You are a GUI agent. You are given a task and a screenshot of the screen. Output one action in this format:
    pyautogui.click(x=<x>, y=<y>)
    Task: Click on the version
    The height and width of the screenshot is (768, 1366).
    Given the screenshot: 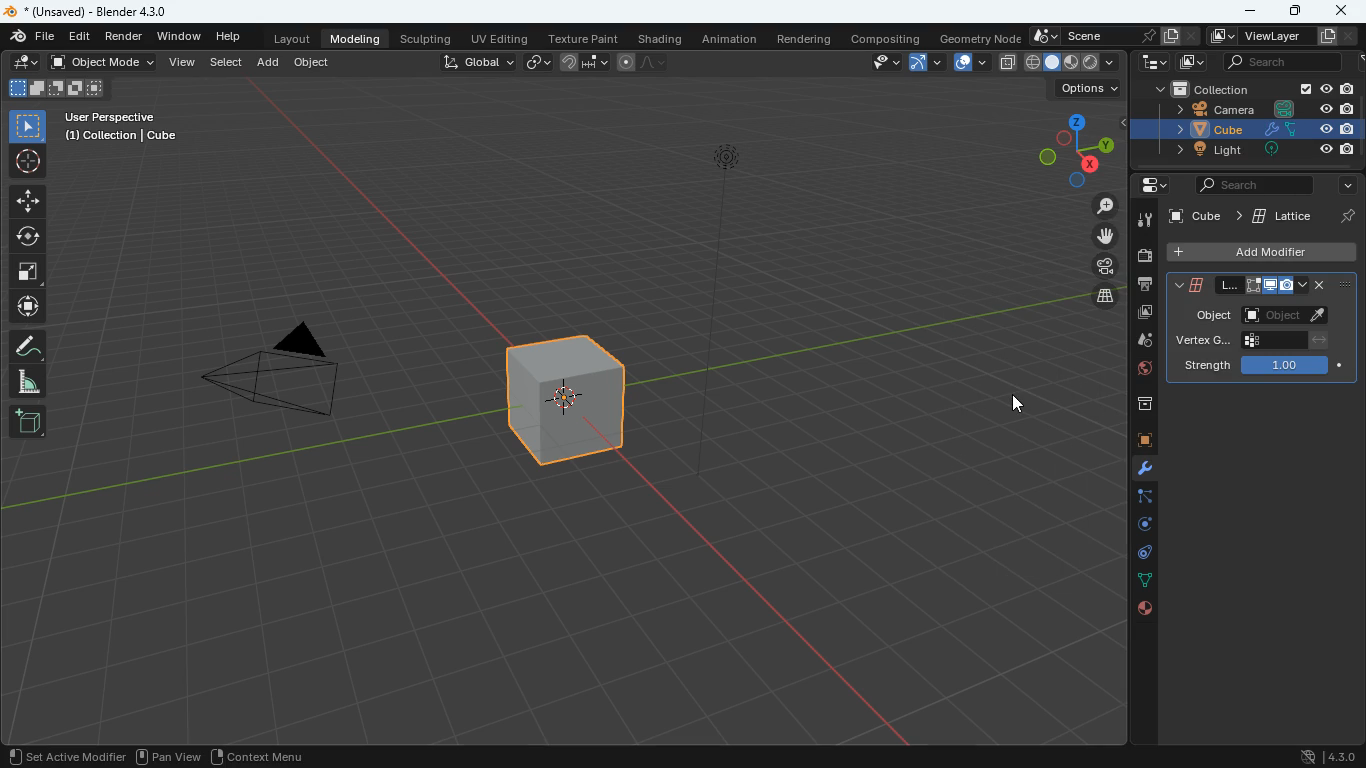 What is the action you would take?
    pyautogui.click(x=1316, y=753)
    